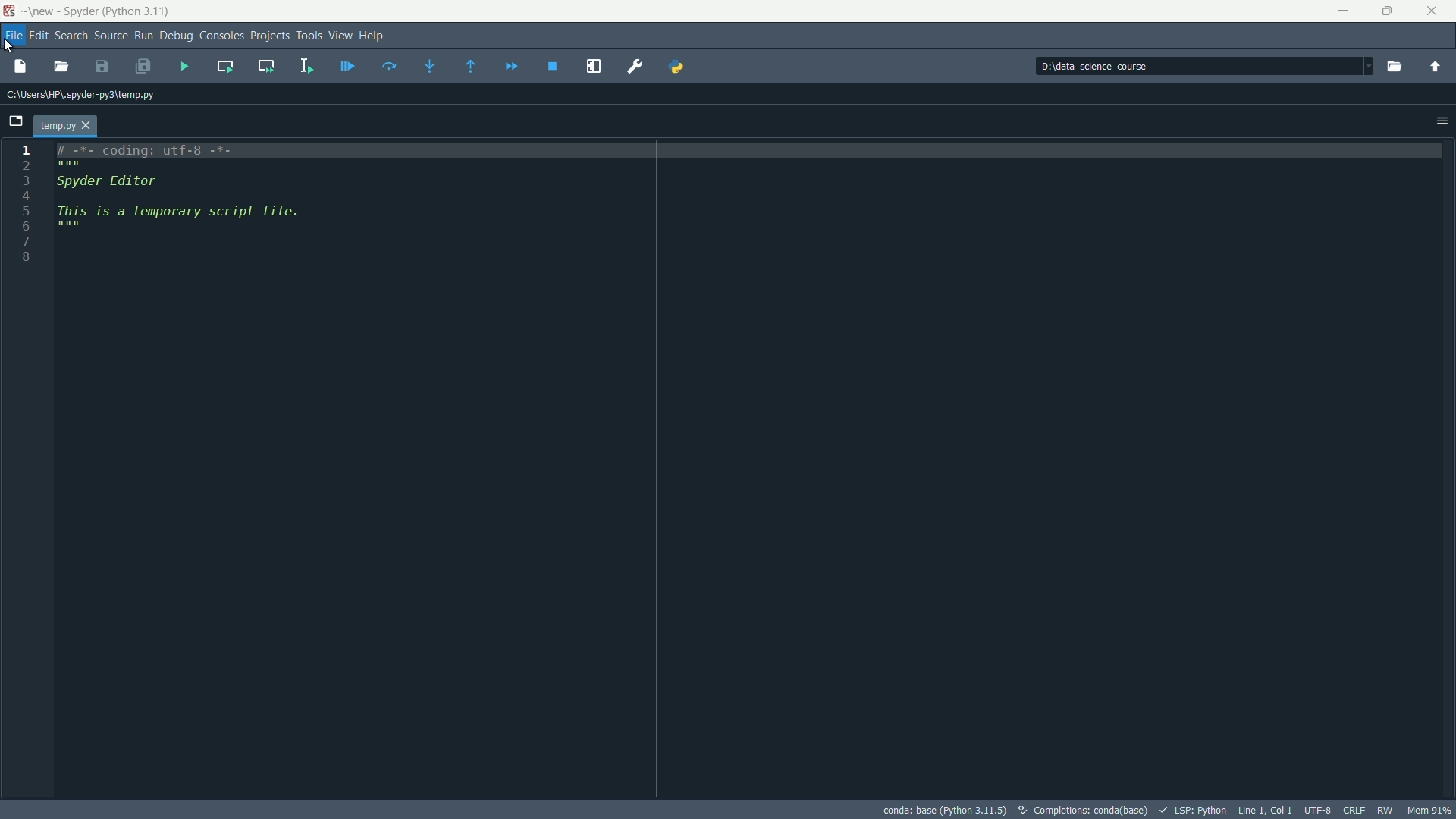 This screenshot has width=1456, height=819. Describe the element at coordinates (310, 64) in the screenshot. I see `run selection or current line` at that location.